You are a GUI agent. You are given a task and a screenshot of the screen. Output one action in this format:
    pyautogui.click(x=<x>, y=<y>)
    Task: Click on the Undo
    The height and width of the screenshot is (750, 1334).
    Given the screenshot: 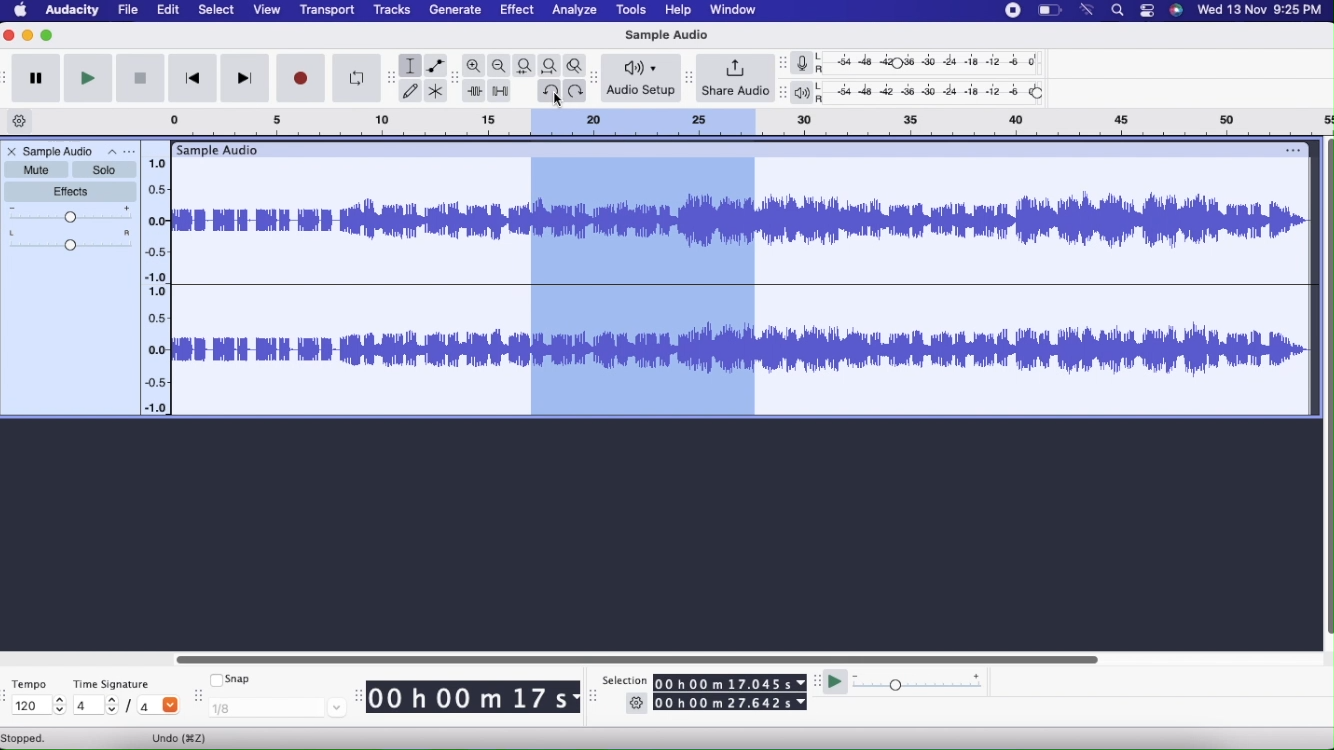 What is the action you would take?
    pyautogui.click(x=548, y=92)
    